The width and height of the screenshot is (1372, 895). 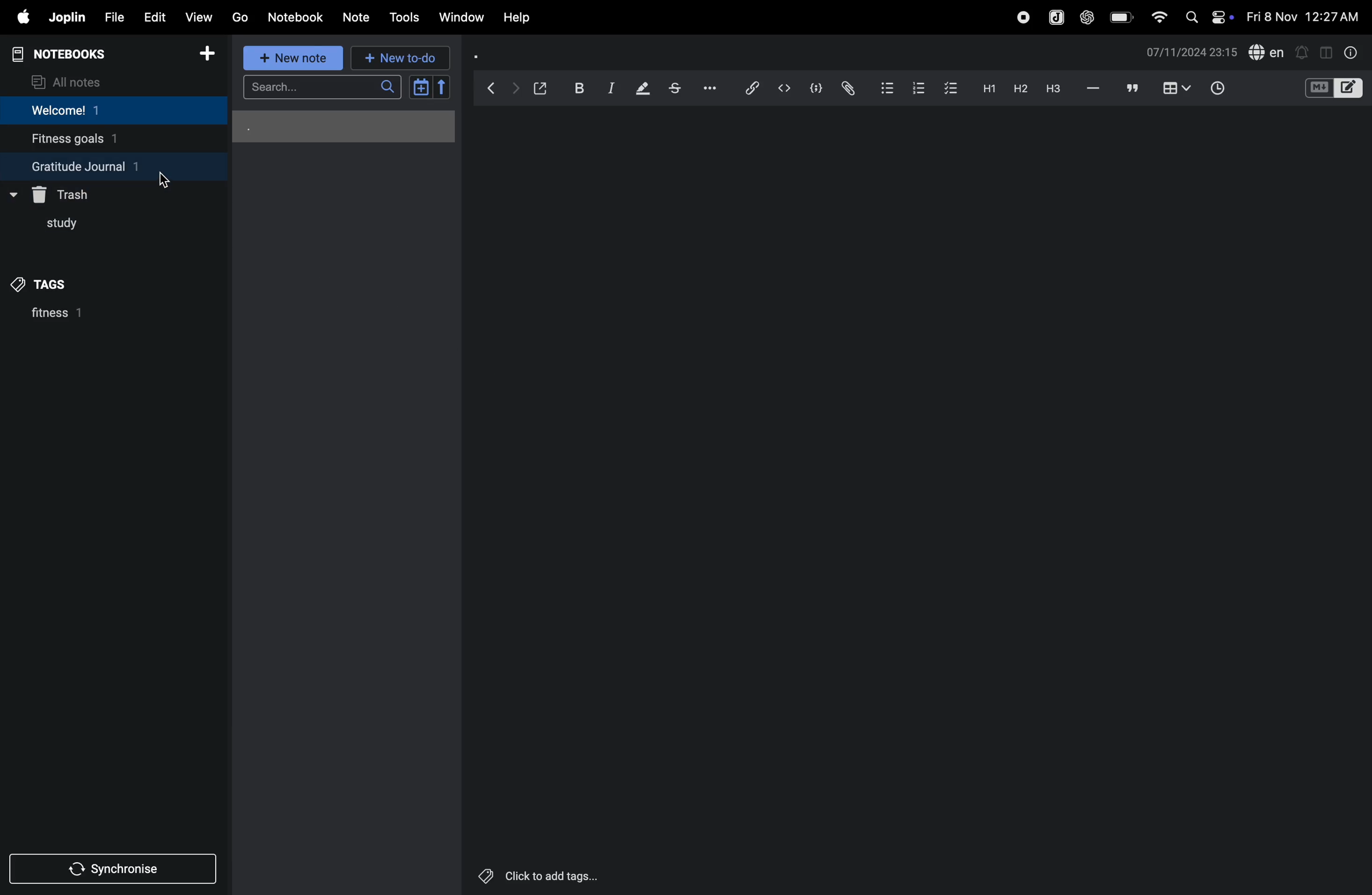 What do you see at coordinates (1021, 18) in the screenshot?
I see `record` at bounding box center [1021, 18].